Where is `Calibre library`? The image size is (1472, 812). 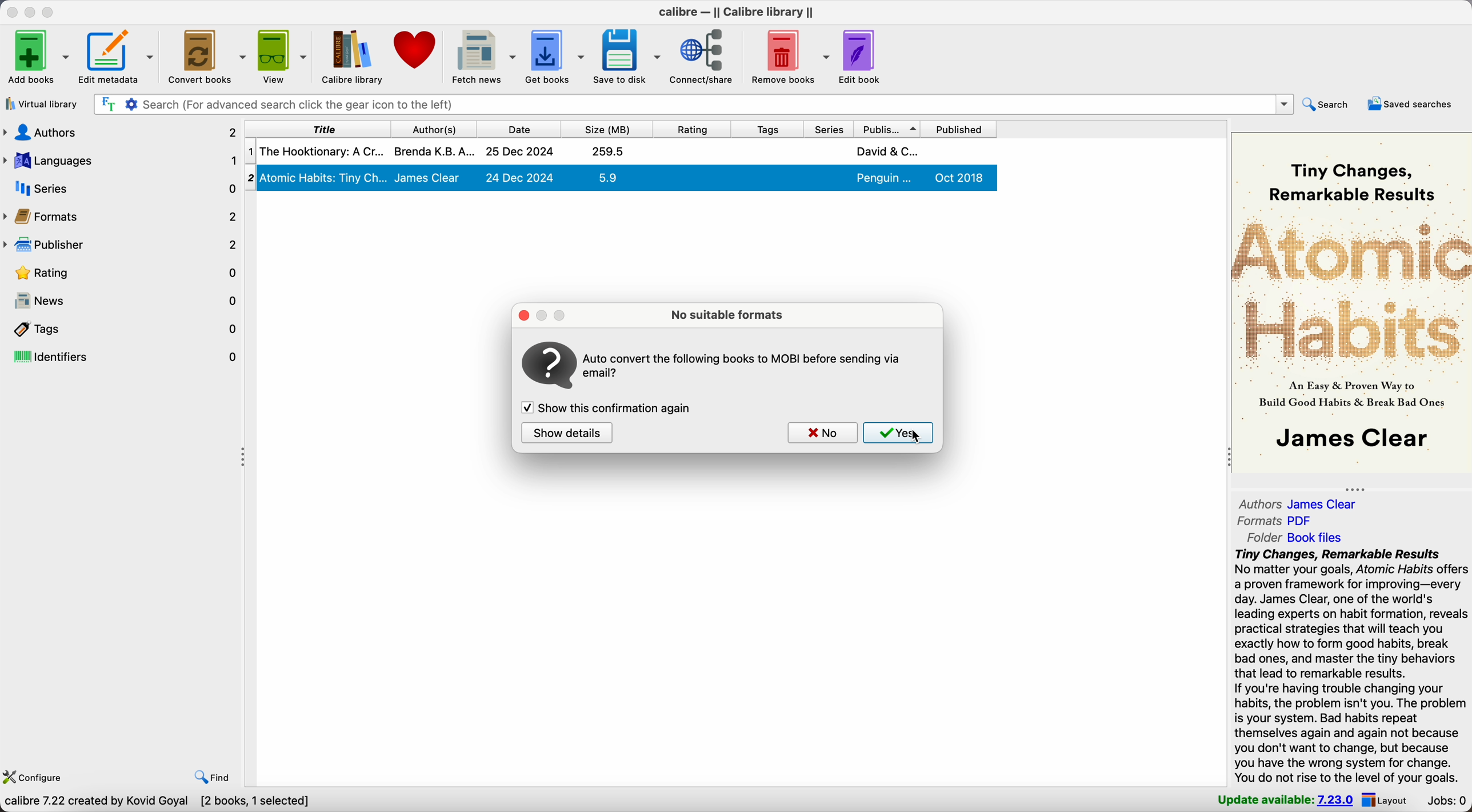 Calibre library is located at coordinates (353, 56).